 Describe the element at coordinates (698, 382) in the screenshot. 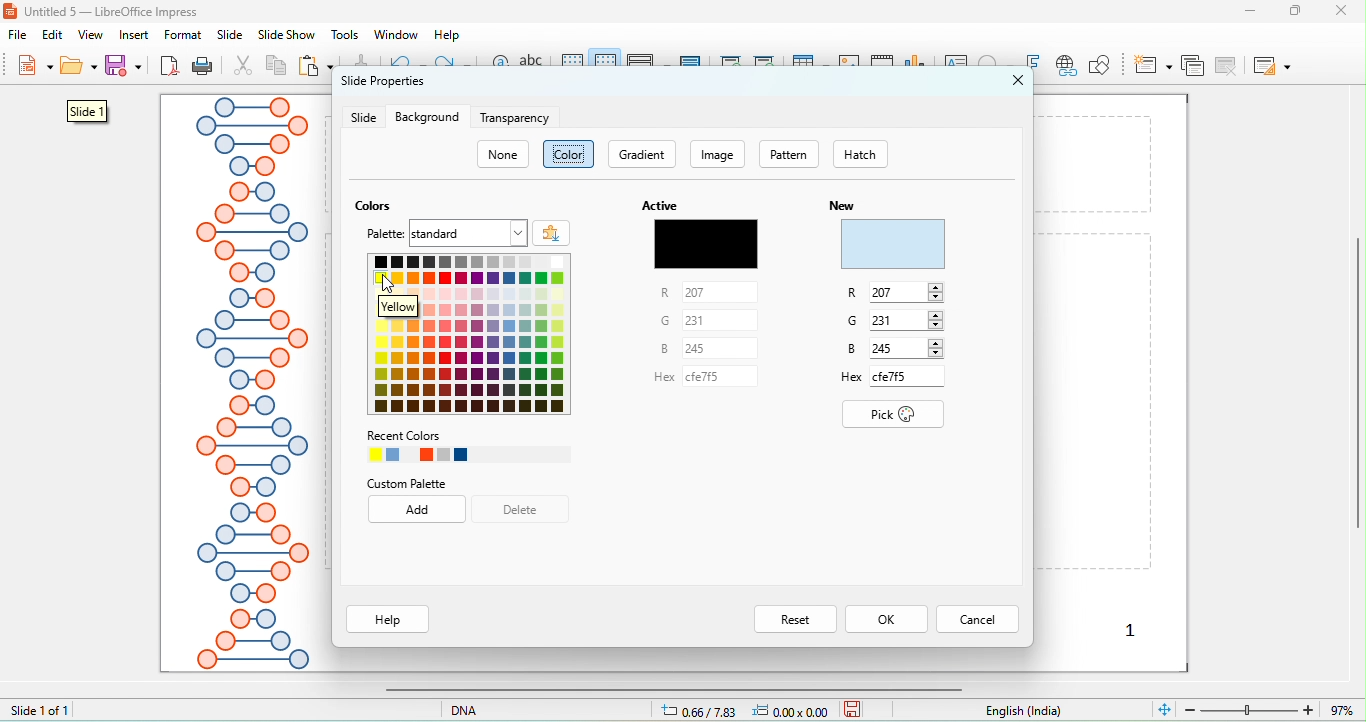

I see `hex` at that location.